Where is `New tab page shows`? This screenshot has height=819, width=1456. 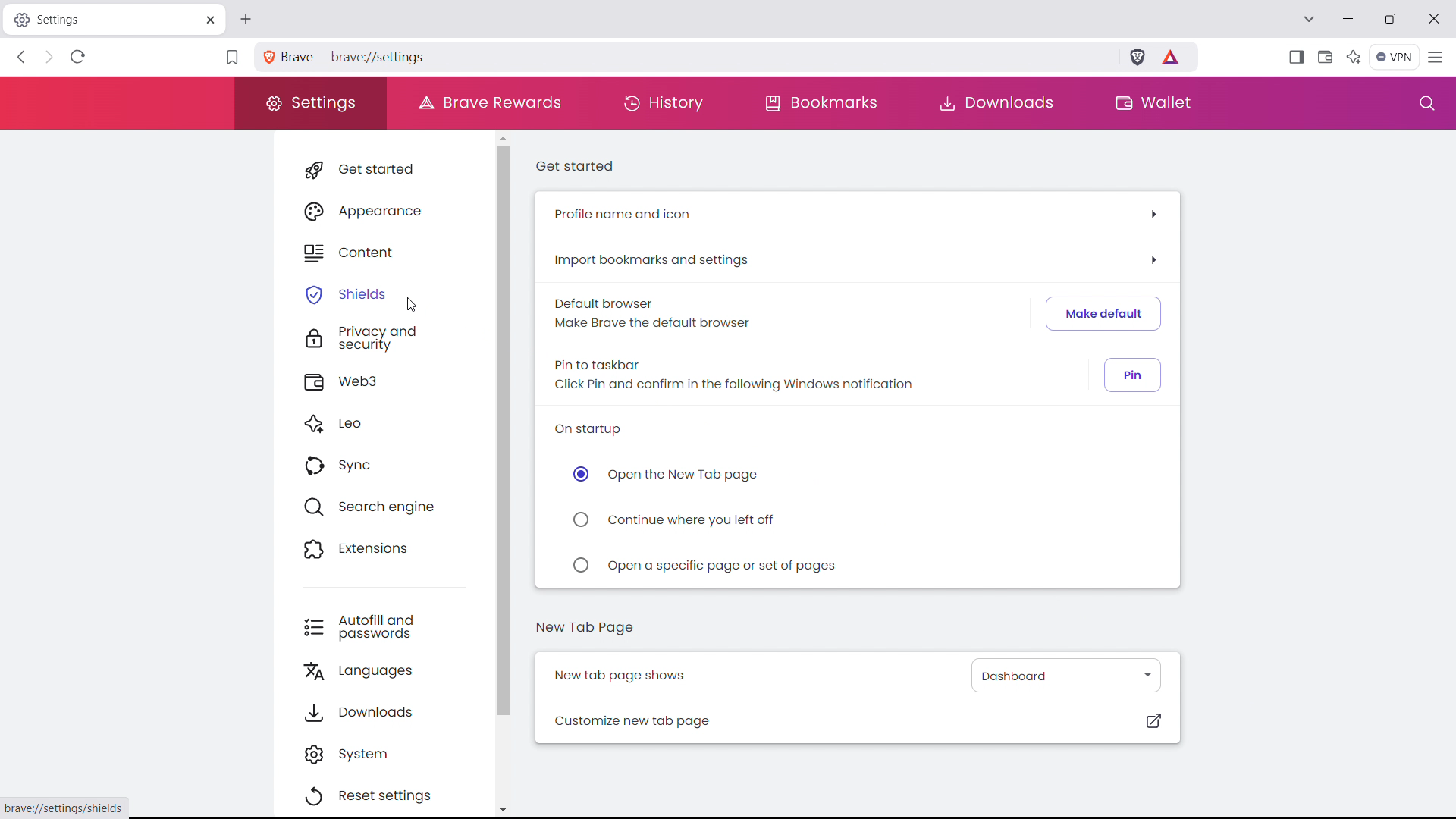 New tab page shows is located at coordinates (620, 676).